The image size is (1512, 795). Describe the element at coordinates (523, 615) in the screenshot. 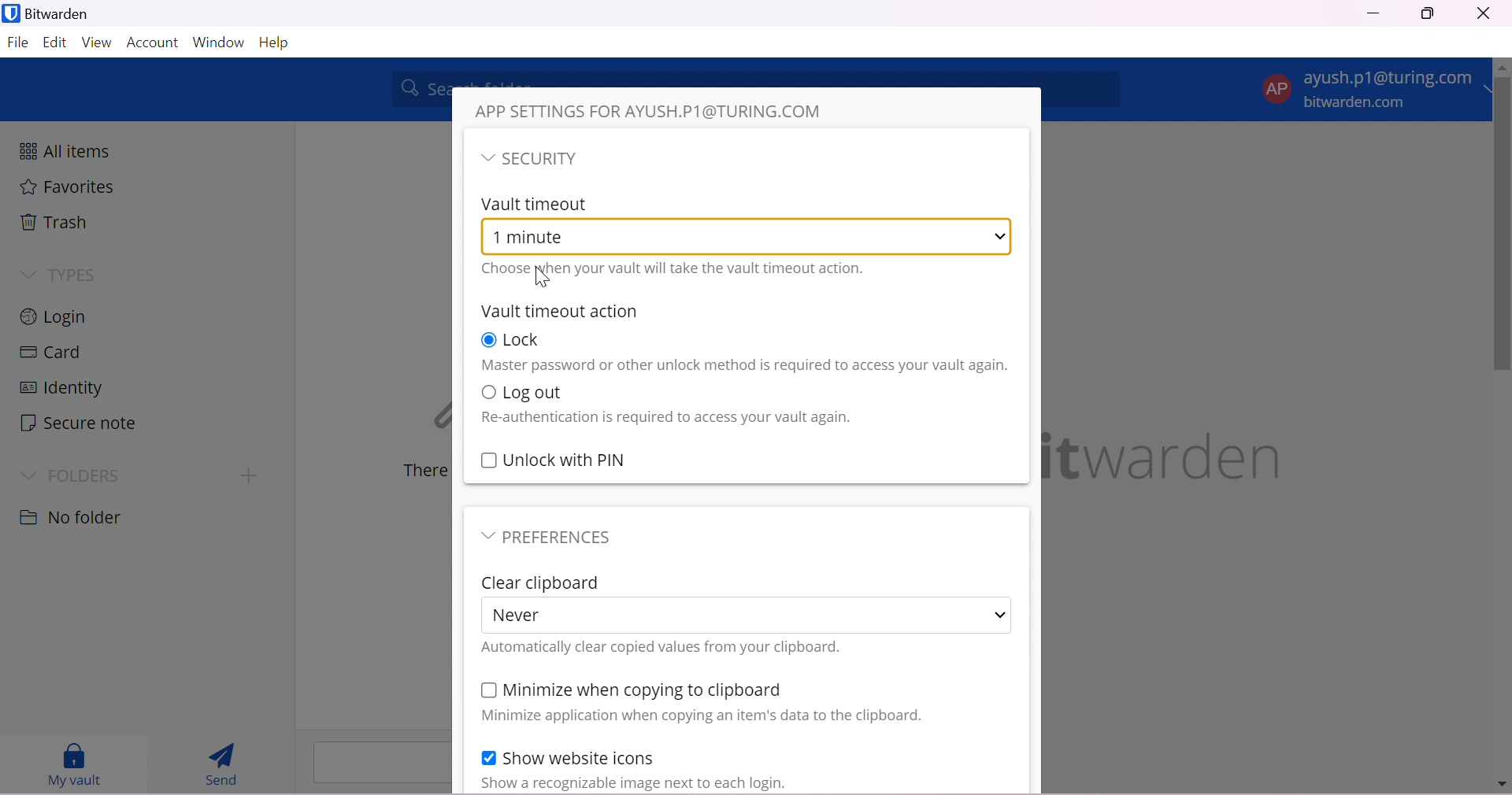

I see `Never` at that location.